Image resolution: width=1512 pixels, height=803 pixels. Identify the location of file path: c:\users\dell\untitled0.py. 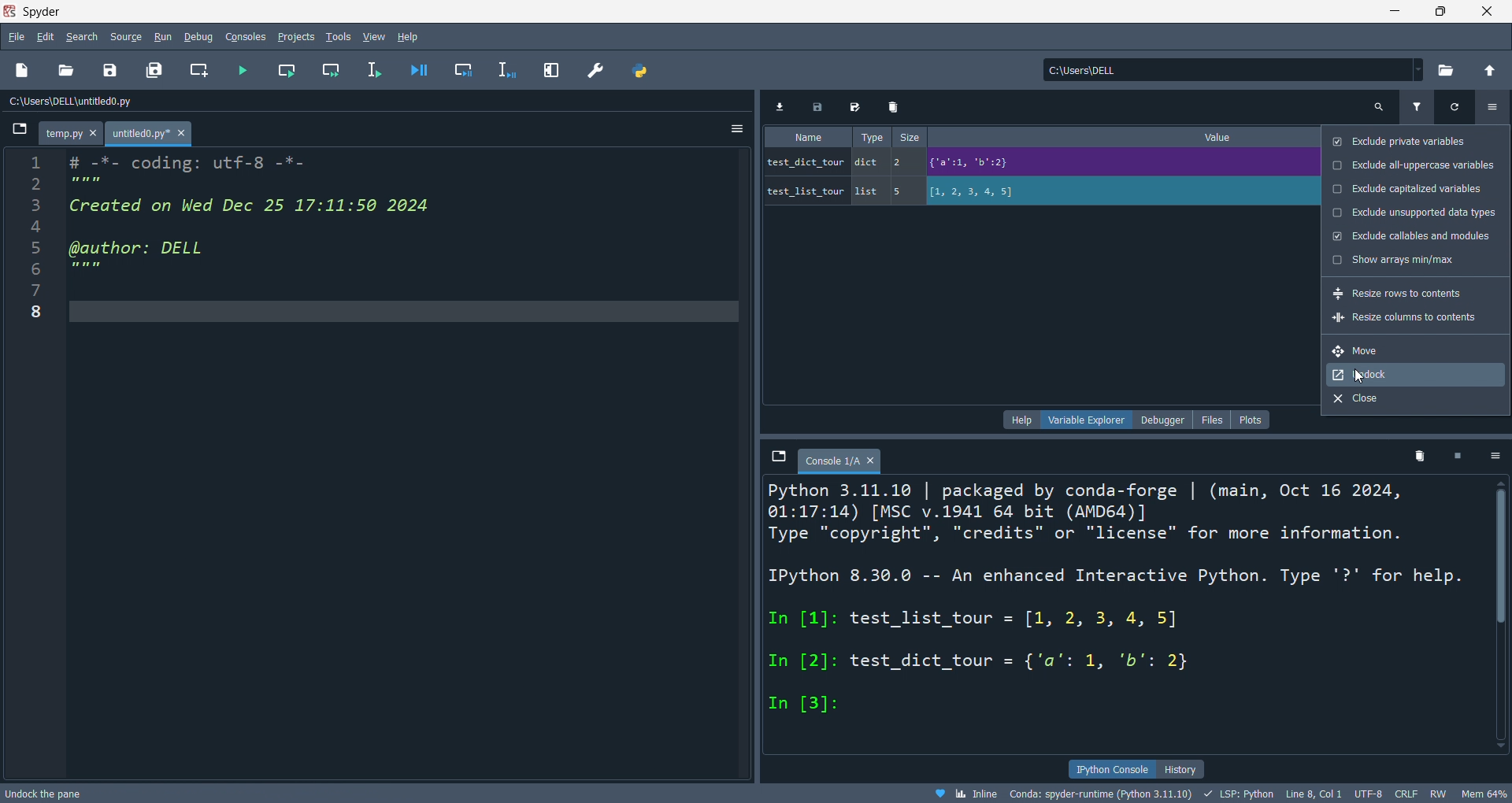
(116, 101).